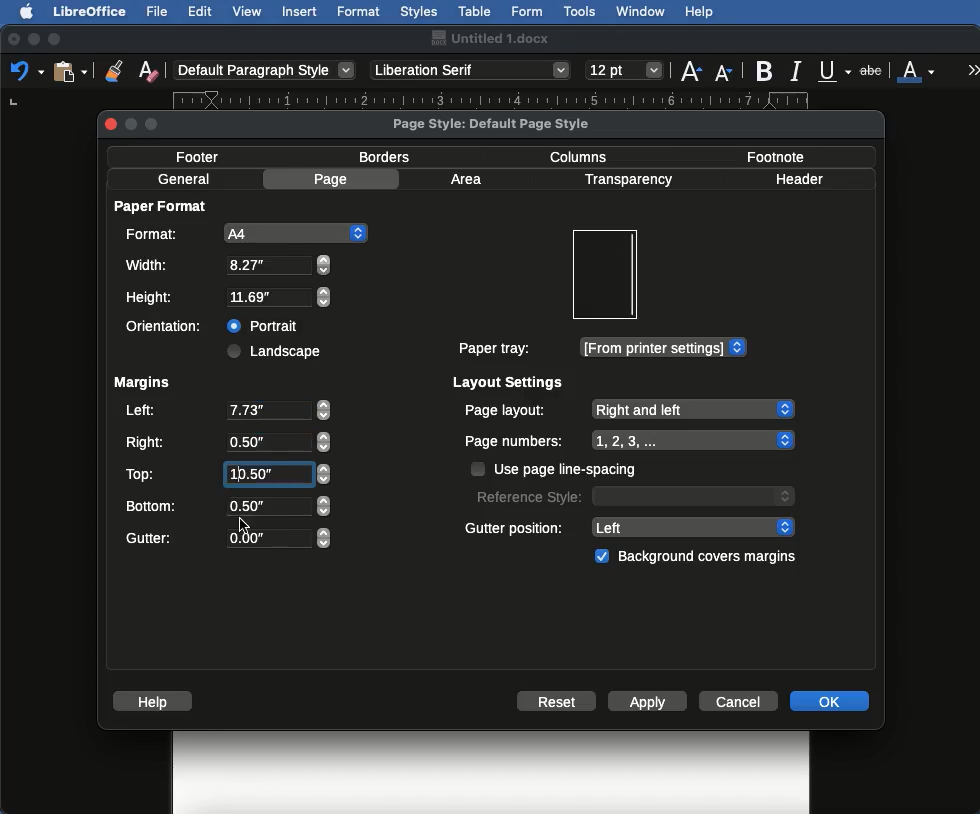 This screenshot has width=980, height=814. I want to click on Right, so click(226, 443).